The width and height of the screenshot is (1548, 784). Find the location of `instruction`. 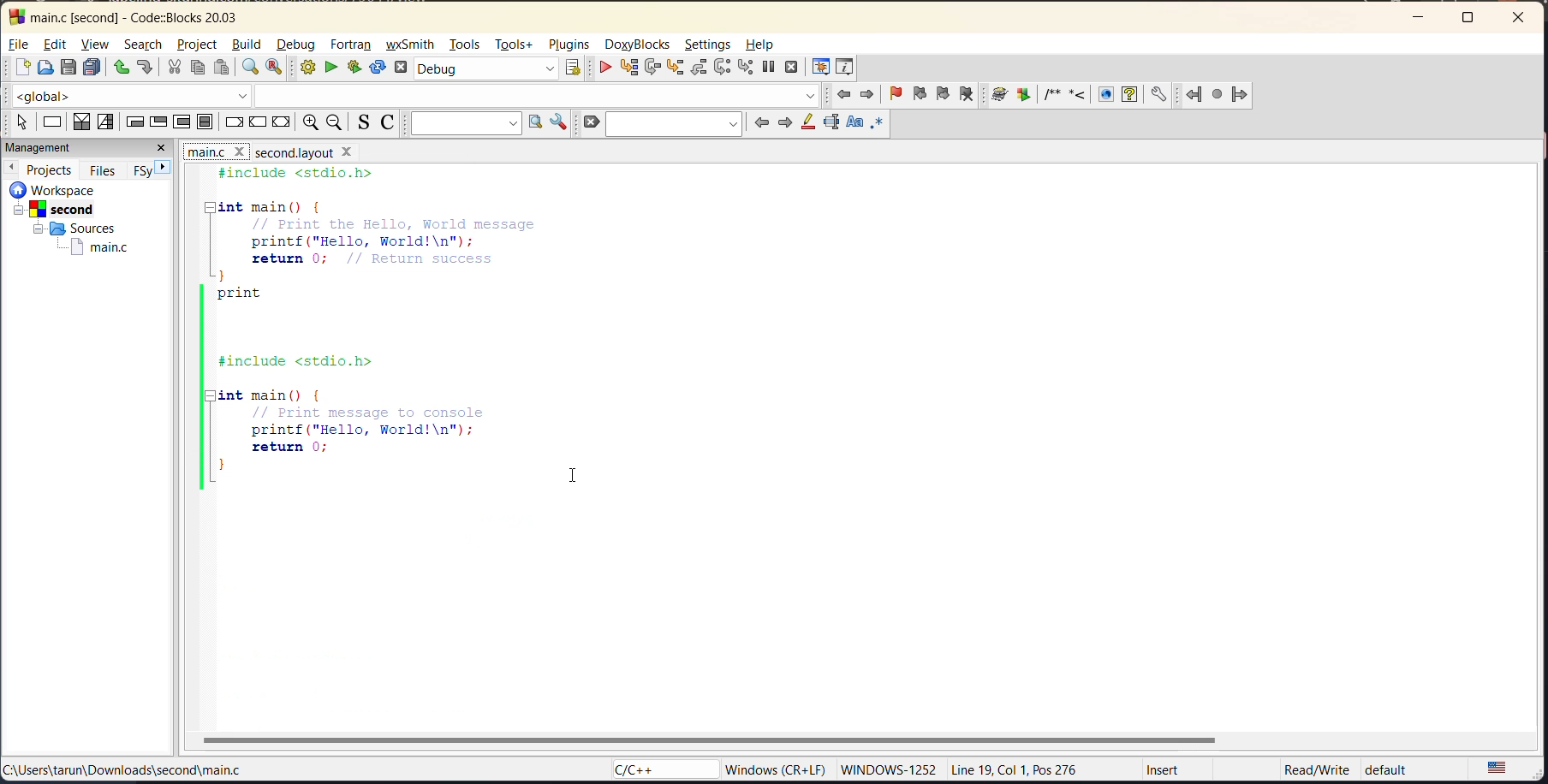

instruction is located at coordinates (54, 121).